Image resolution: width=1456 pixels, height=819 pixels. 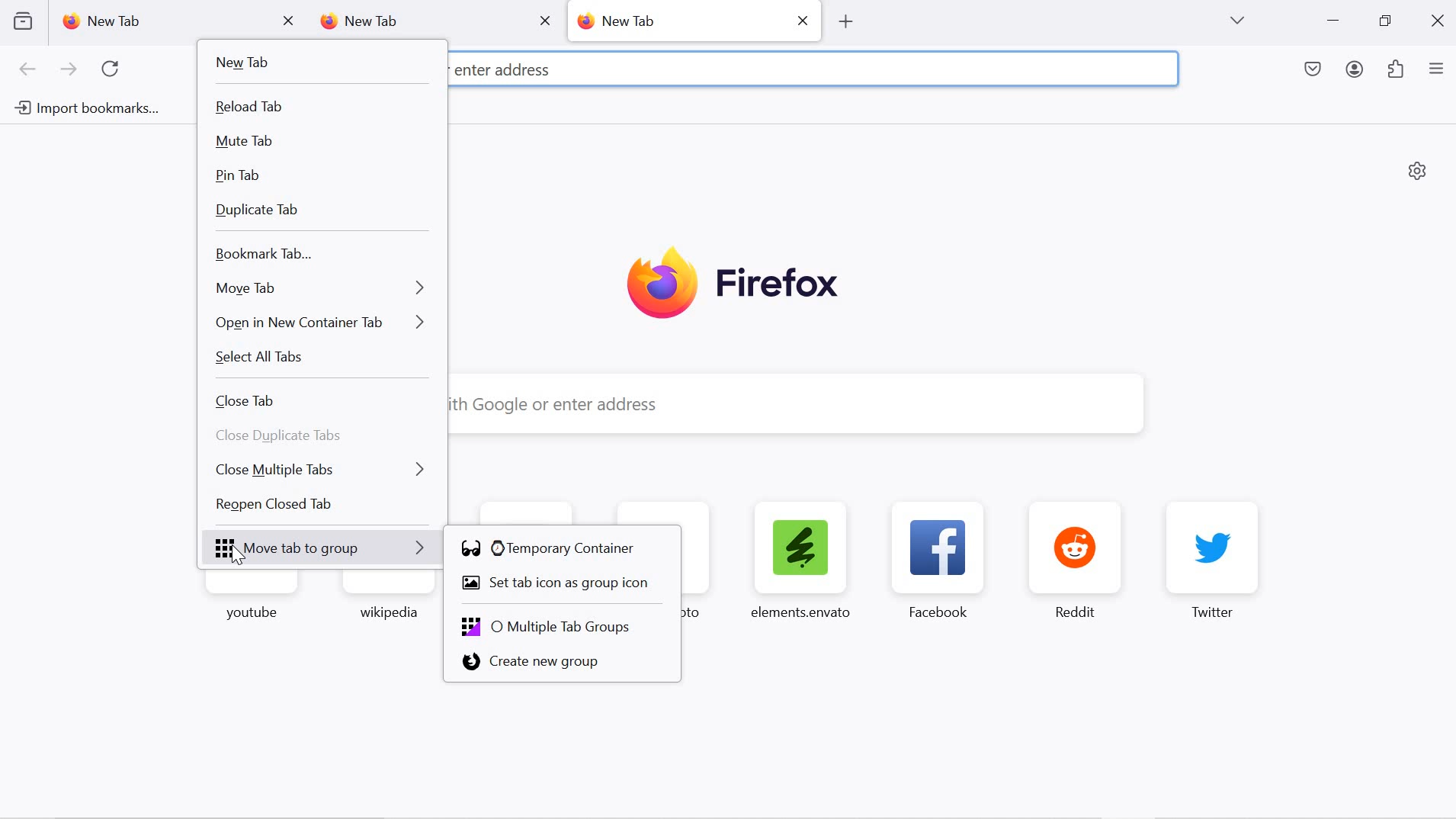 What do you see at coordinates (326, 549) in the screenshot?
I see `move tab to group` at bounding box center [326, 549].